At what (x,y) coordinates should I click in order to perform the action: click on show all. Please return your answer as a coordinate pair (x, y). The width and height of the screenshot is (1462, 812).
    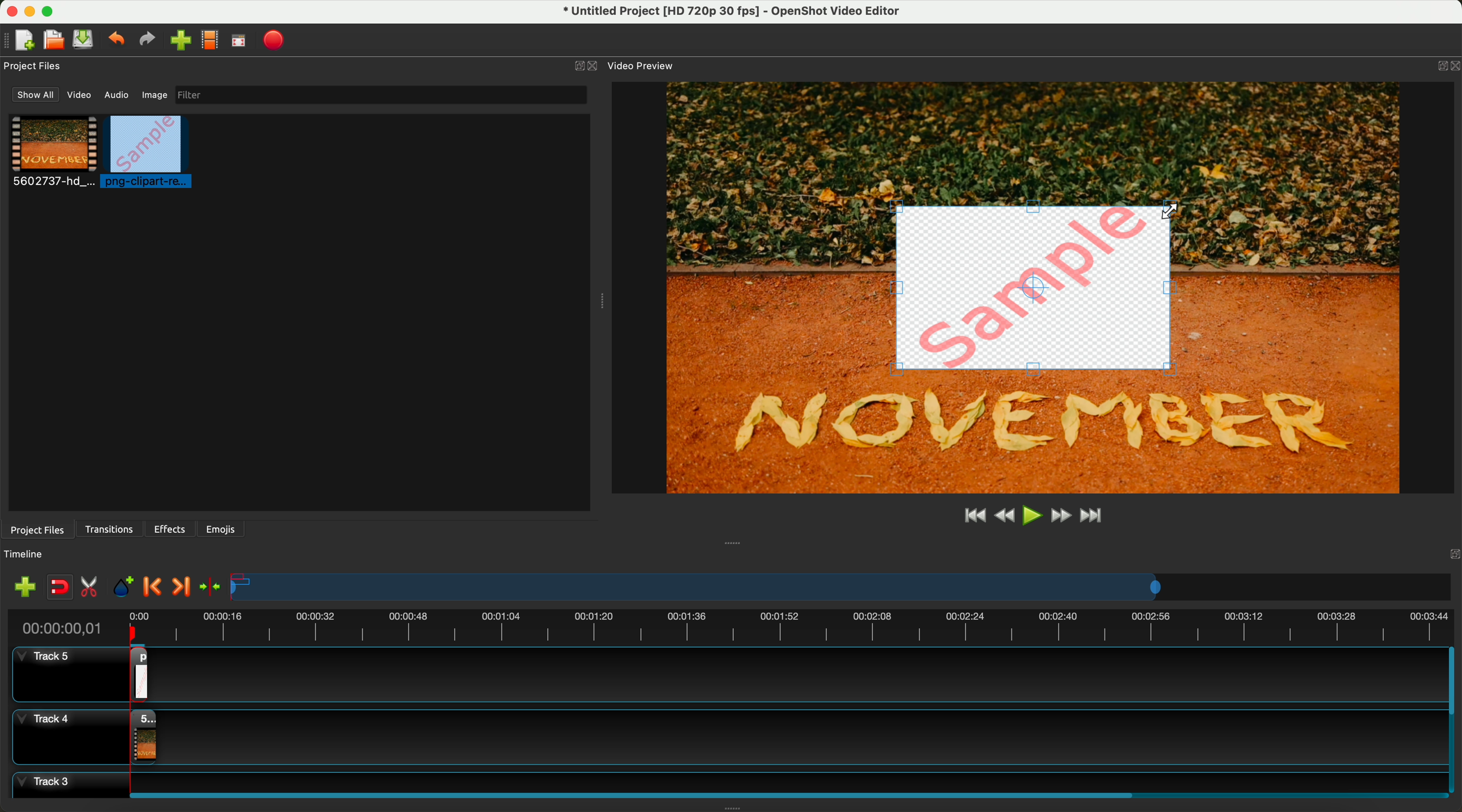
    Looking at the image, I should click on (36, 95).